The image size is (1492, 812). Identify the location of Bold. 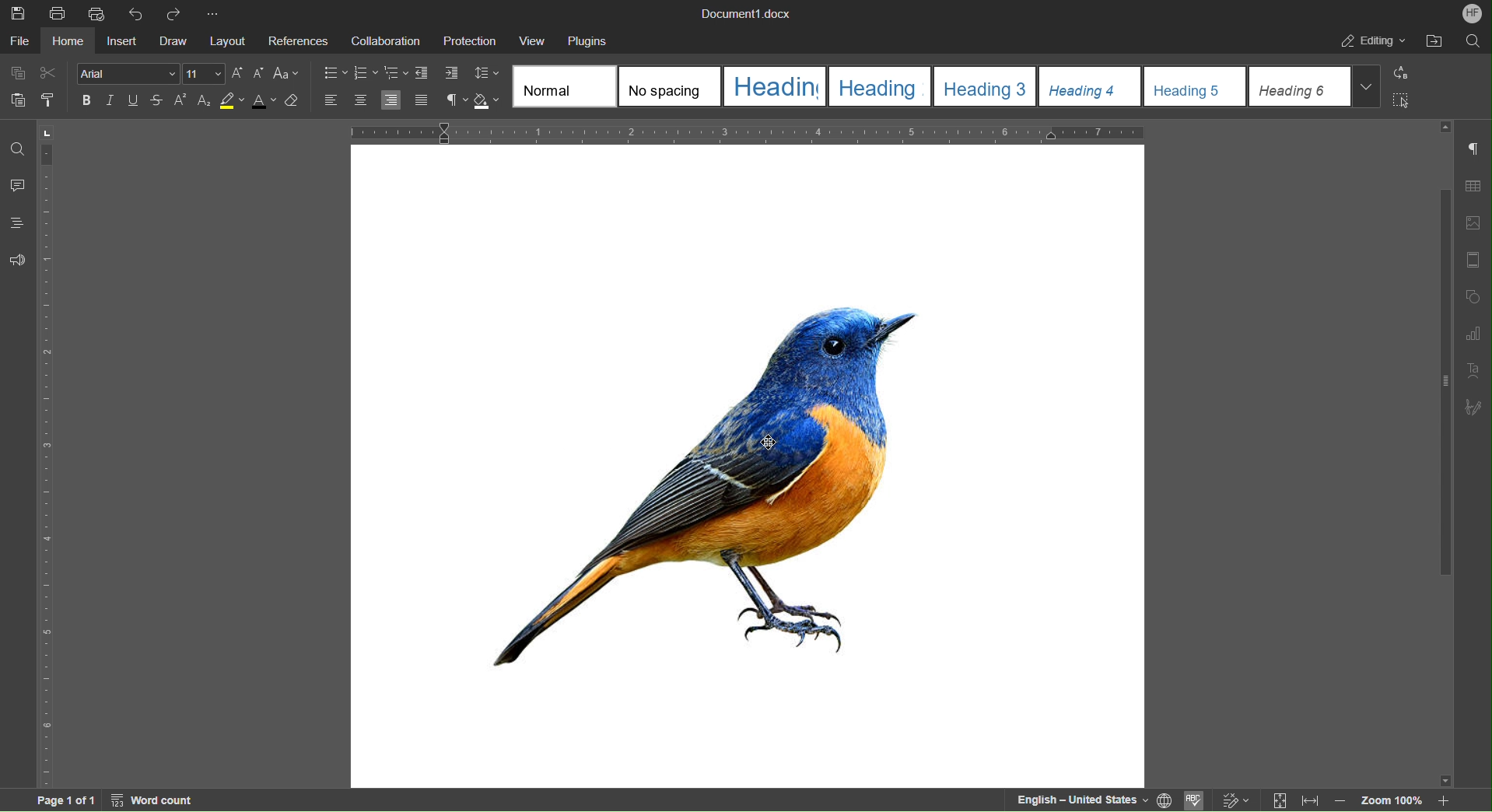
(88, 100).